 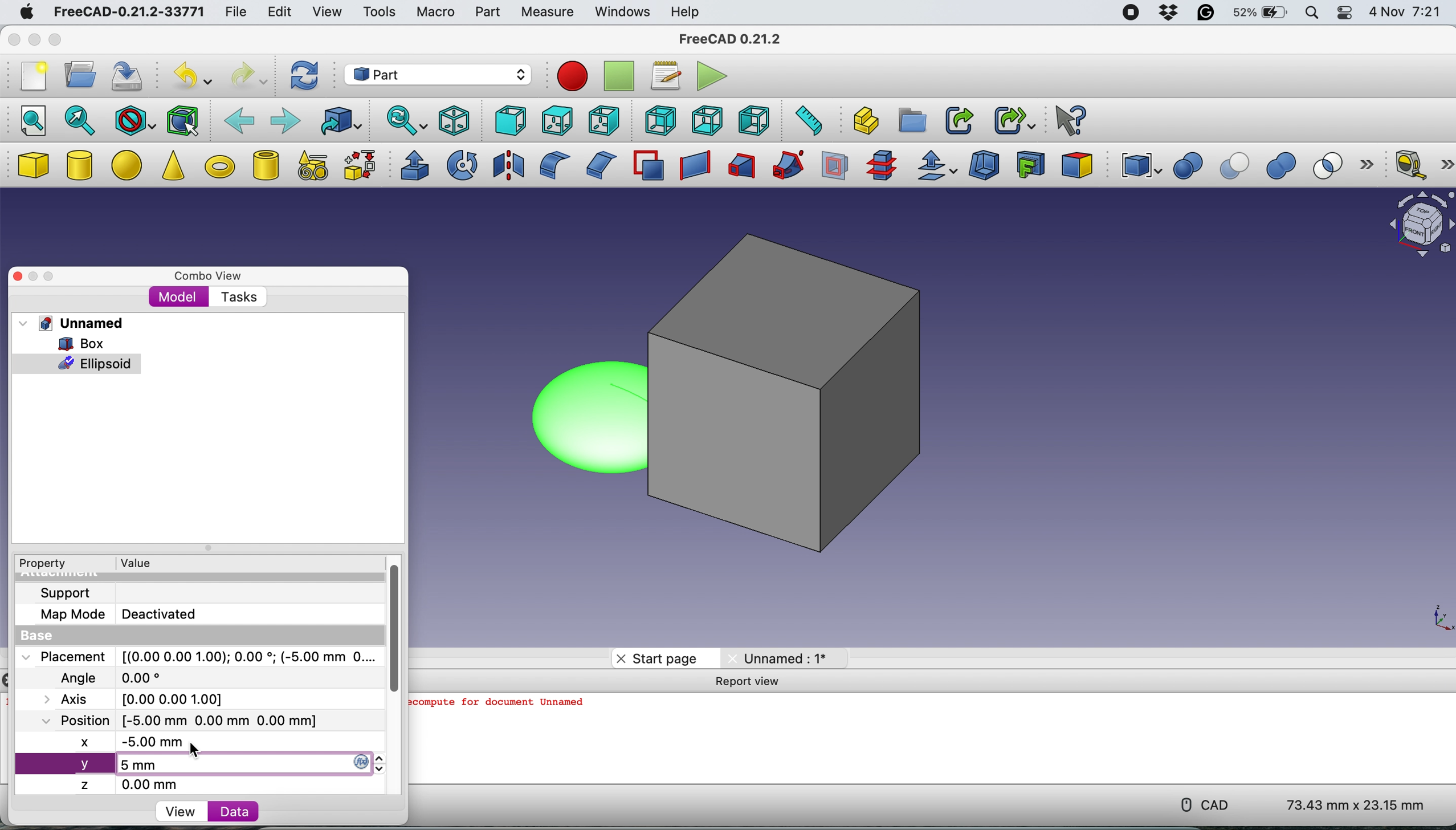 What do you see at coordinates (360, 165) in the screenshot?
I see `shape builder` at bounding box center [360, 165].